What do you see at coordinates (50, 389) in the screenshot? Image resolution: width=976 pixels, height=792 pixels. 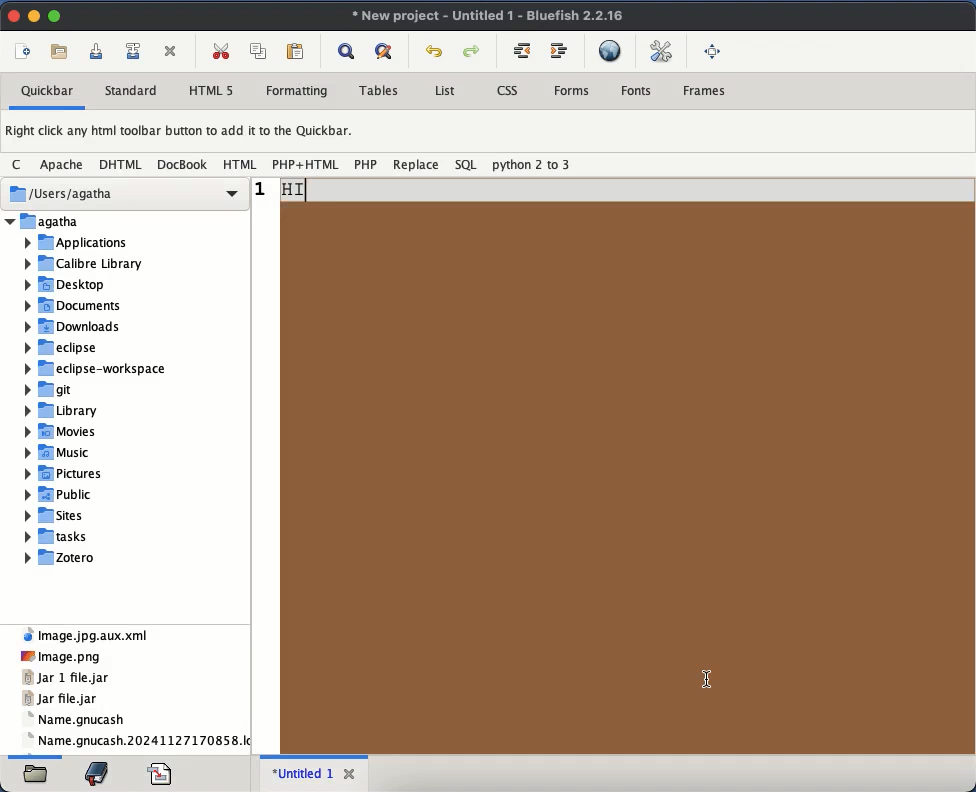 I see `git` at bounding box center [50, 389].